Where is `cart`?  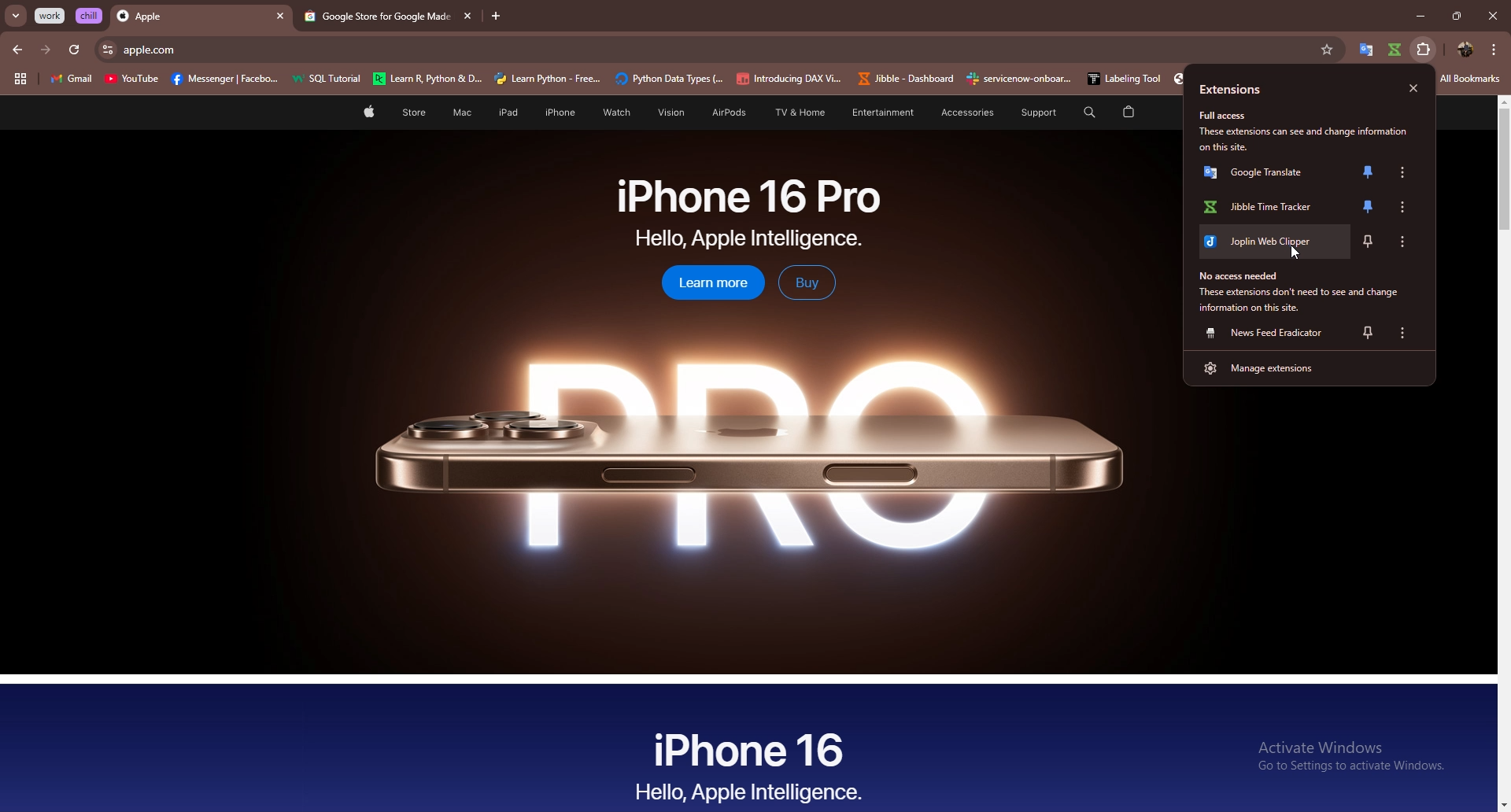
cart is located at coordinates (1129, 113).